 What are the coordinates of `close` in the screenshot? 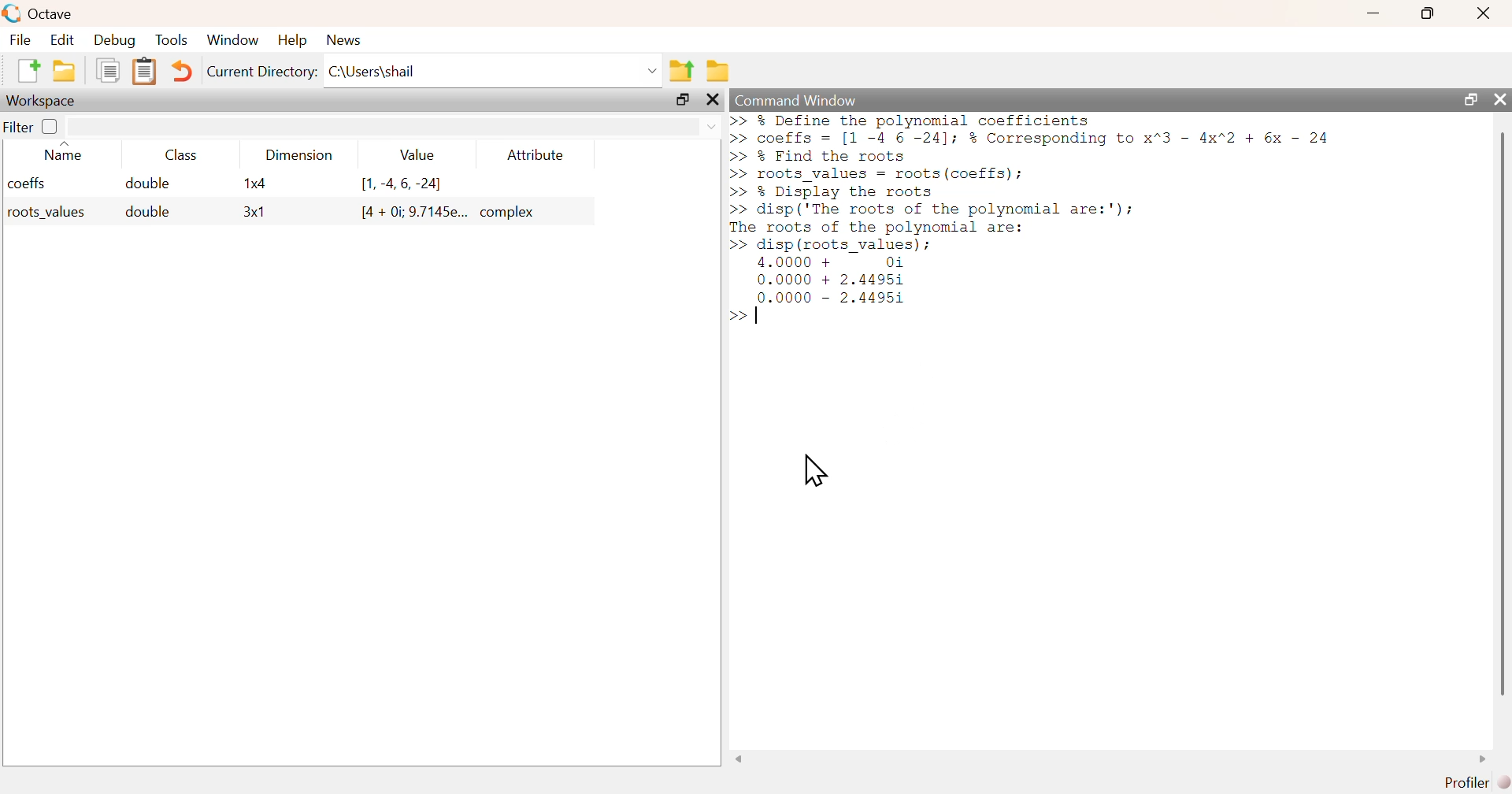 It's located at (714, 100).